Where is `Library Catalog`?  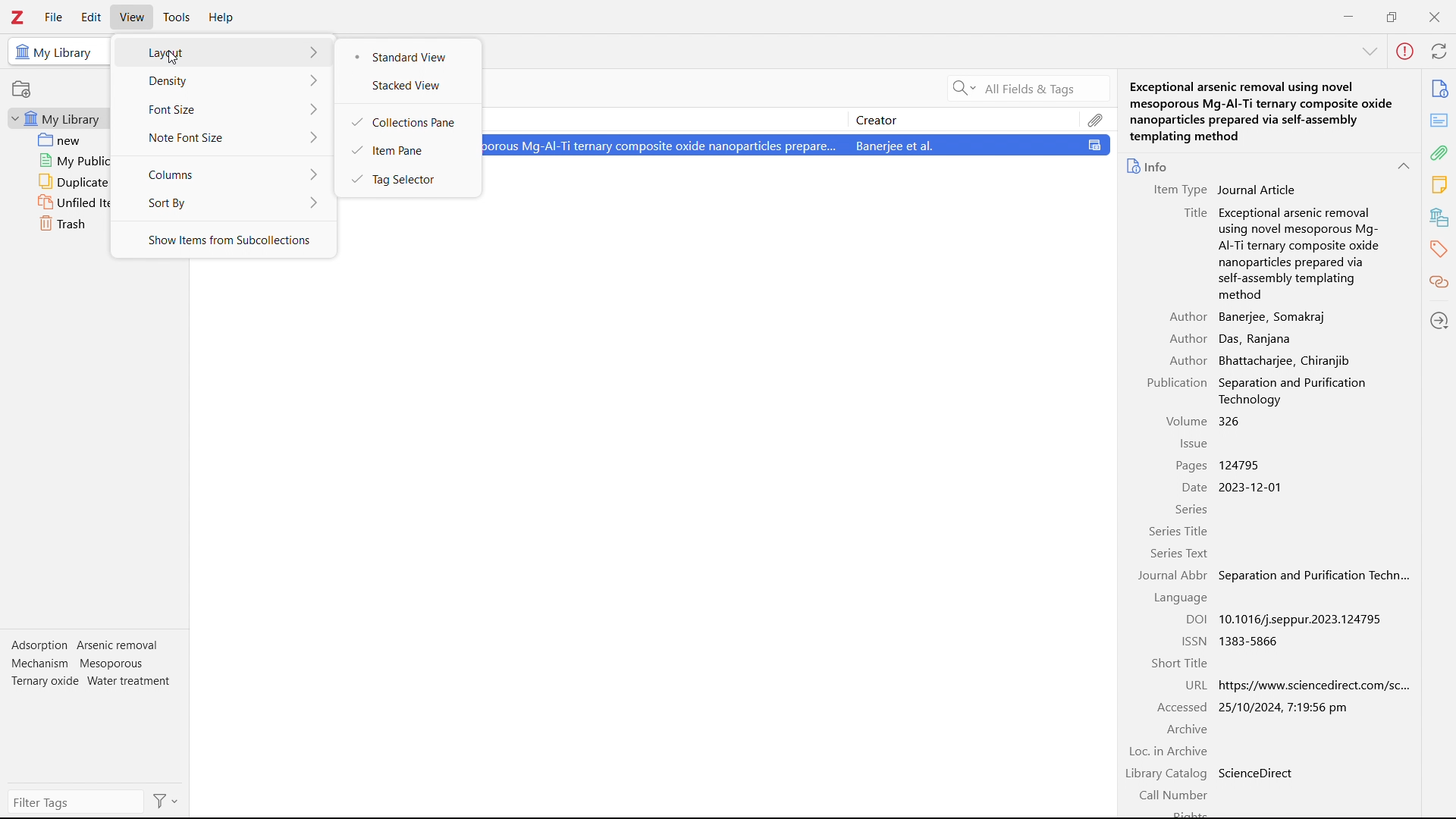 Library Catalog is located at coordinates (1165, 773).